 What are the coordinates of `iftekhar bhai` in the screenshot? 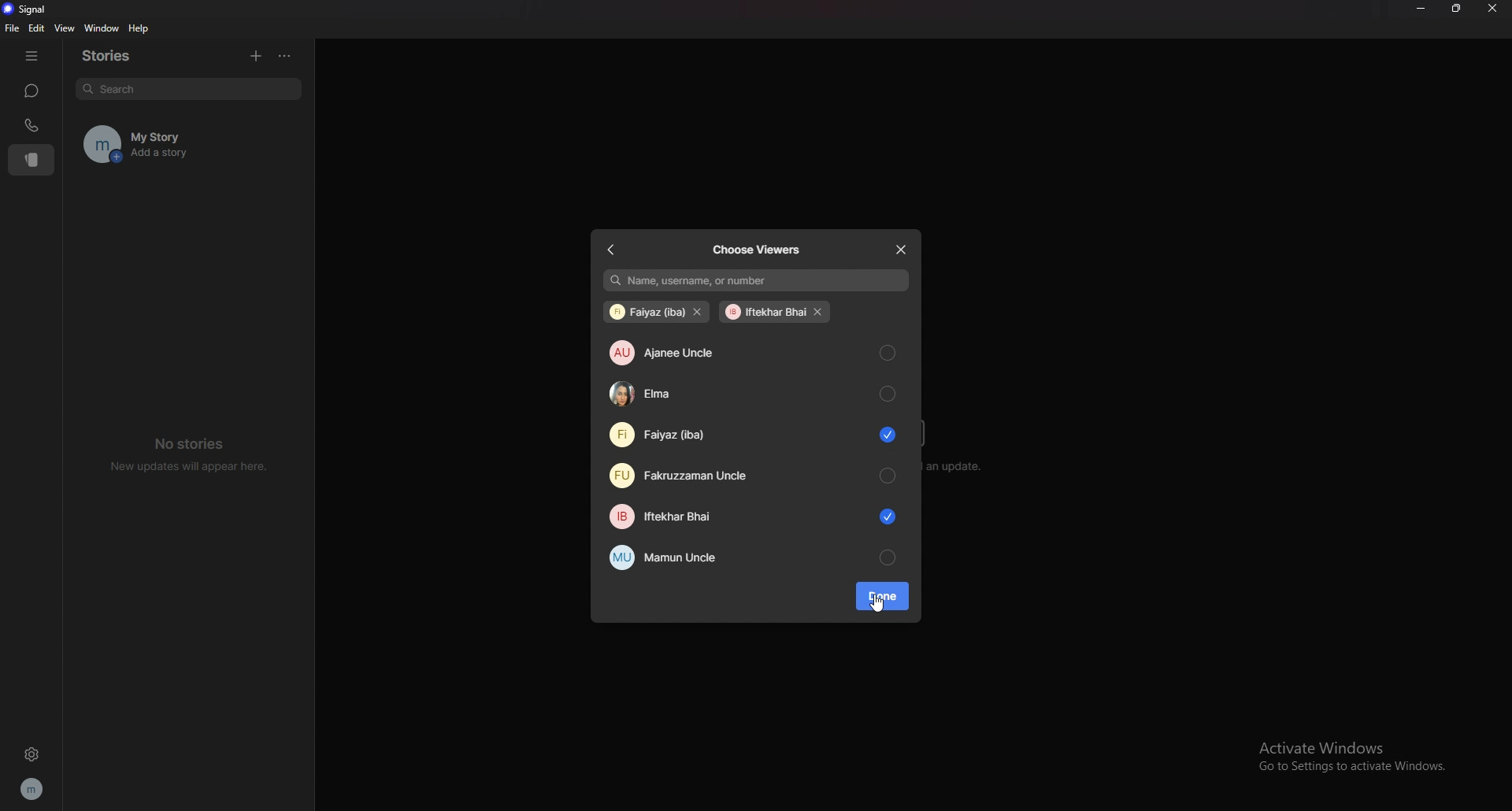 It's located at (764, 313).